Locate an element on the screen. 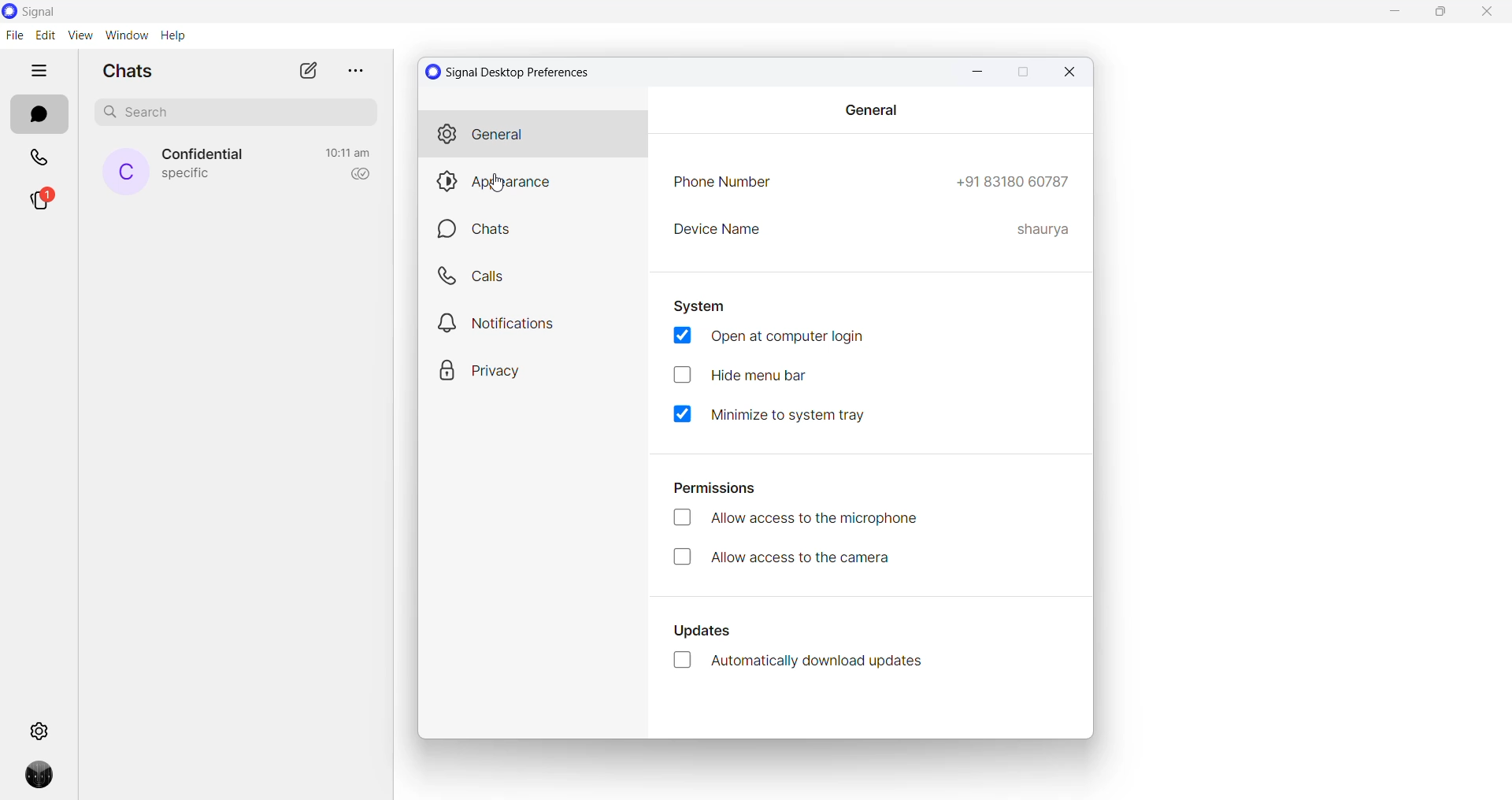 The width and height of the screenshot is (1512, 800). profile picture is located at coordinates (126, 172).